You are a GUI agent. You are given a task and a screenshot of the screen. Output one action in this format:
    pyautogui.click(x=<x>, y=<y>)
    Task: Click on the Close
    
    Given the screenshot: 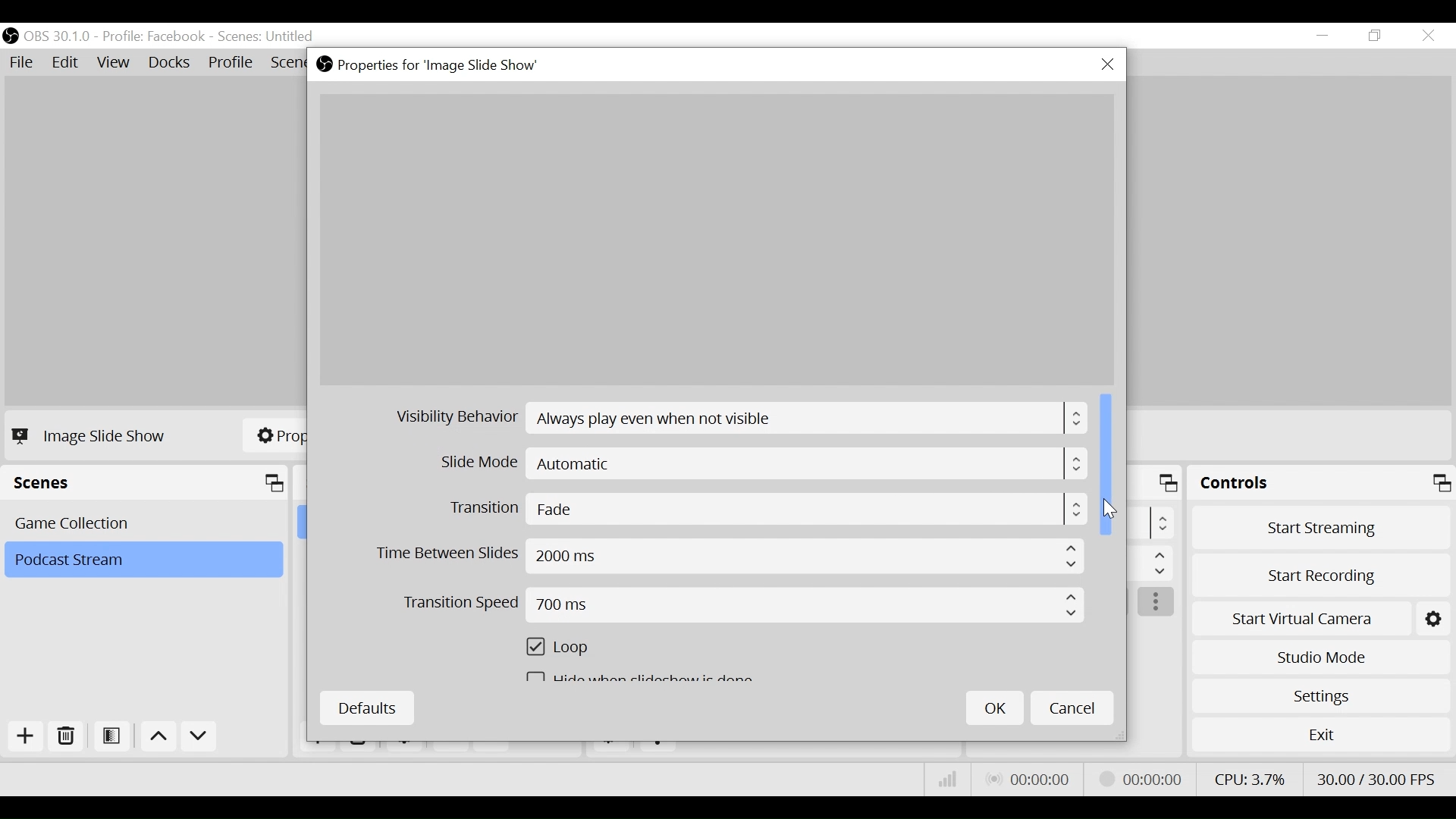 What is the action you would take?
    pyautogui.click(x=1427, y=36)
    